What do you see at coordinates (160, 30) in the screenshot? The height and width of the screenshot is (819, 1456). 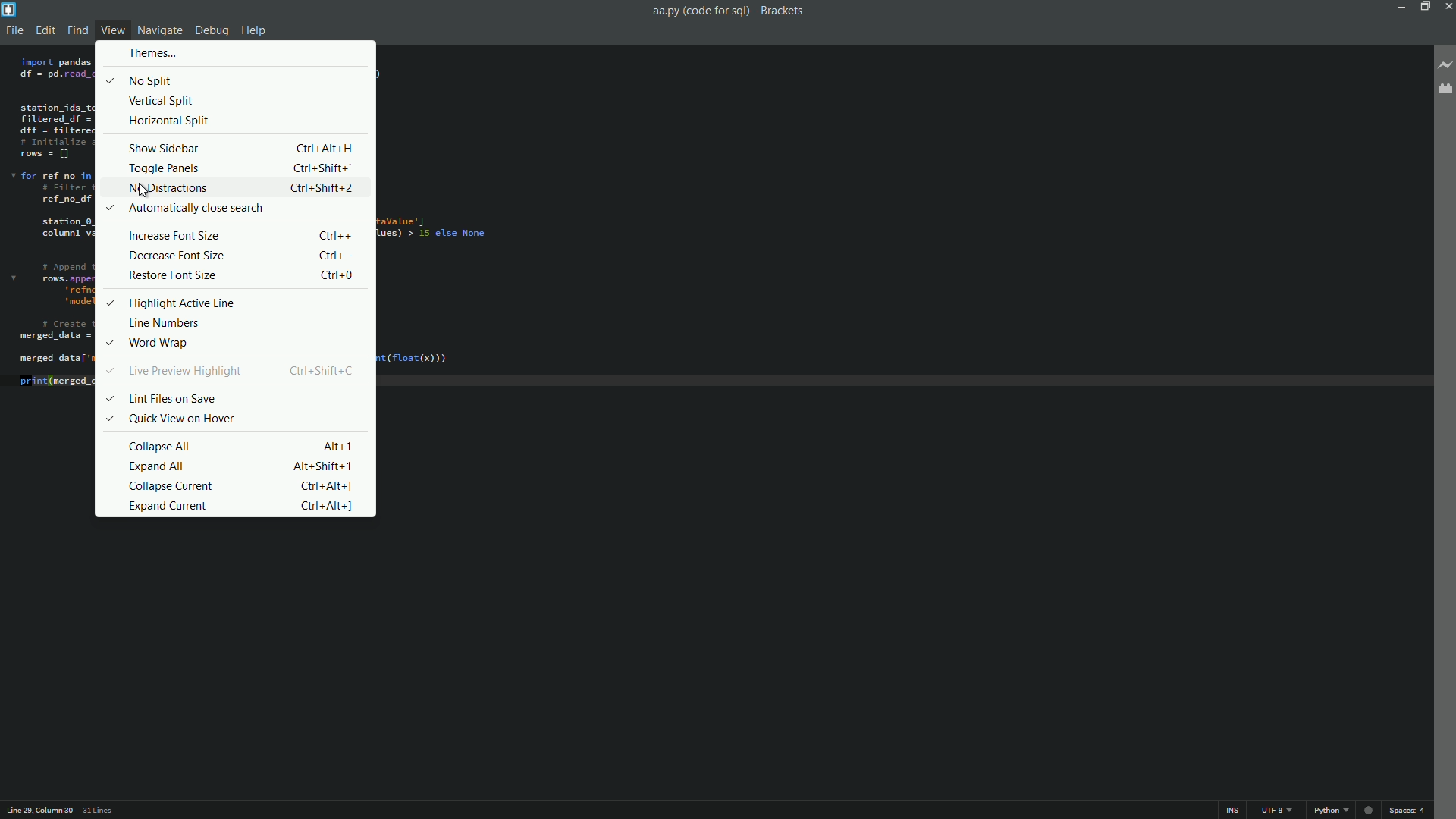 I see `navigate menu` at bounding box center [160, 30].